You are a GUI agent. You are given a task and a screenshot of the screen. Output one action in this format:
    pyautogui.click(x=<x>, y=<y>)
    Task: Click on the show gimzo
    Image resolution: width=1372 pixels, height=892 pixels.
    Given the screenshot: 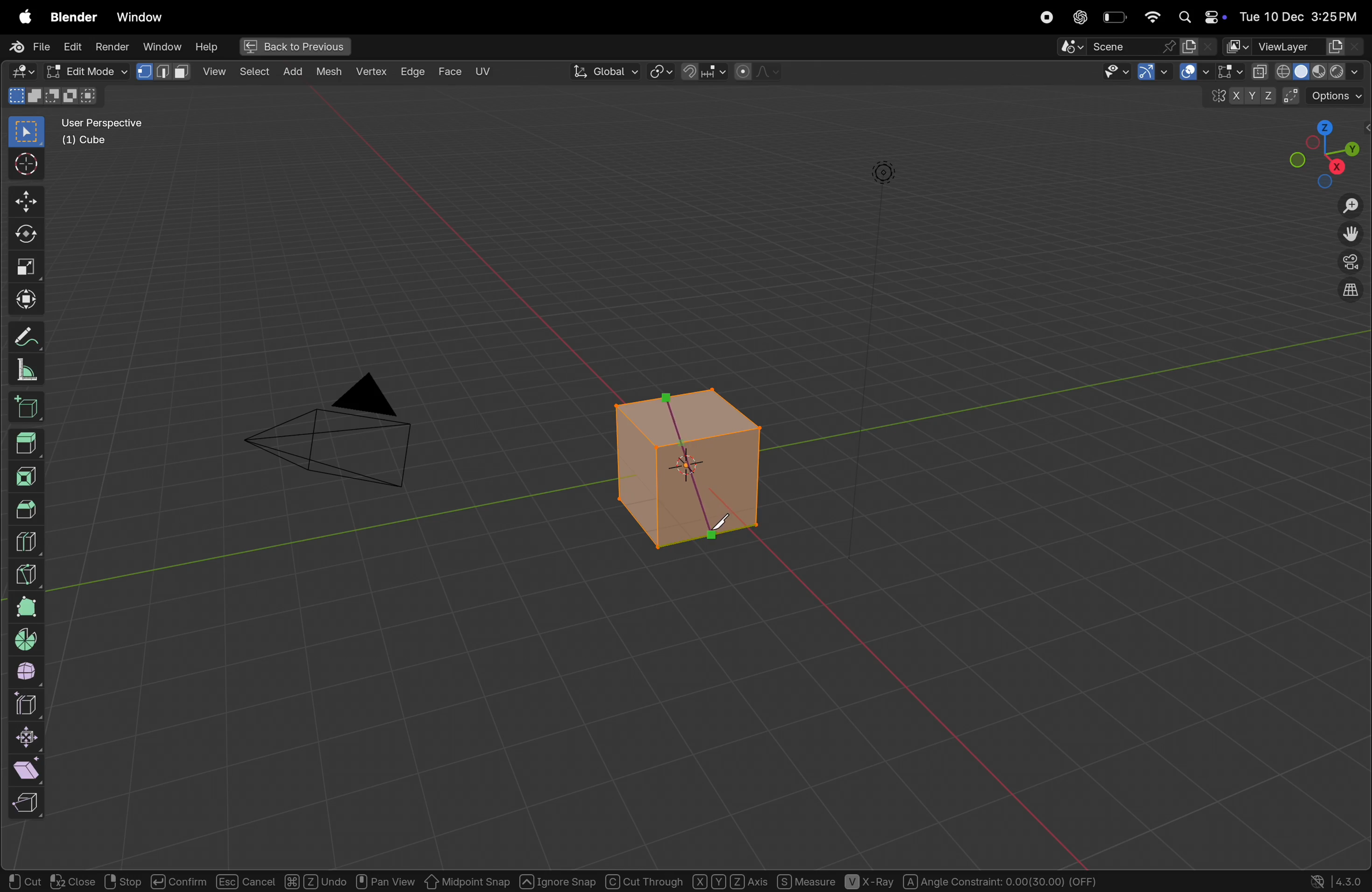 What is the action you would take?
    pyautogui.click(x=1181, y=73)
    